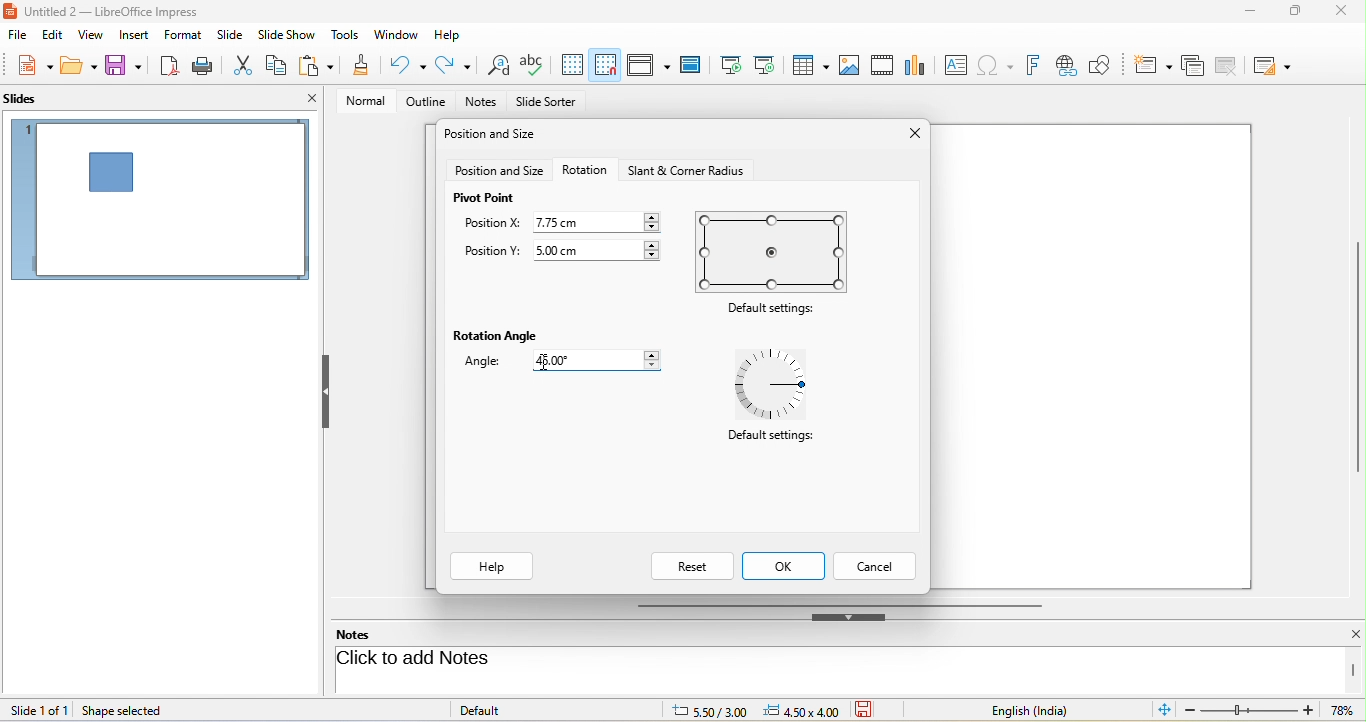 This screenshot has height=722, width=1366. Describe the element at coordinates (911, 135) in the screenshot. I see `close` at that location.